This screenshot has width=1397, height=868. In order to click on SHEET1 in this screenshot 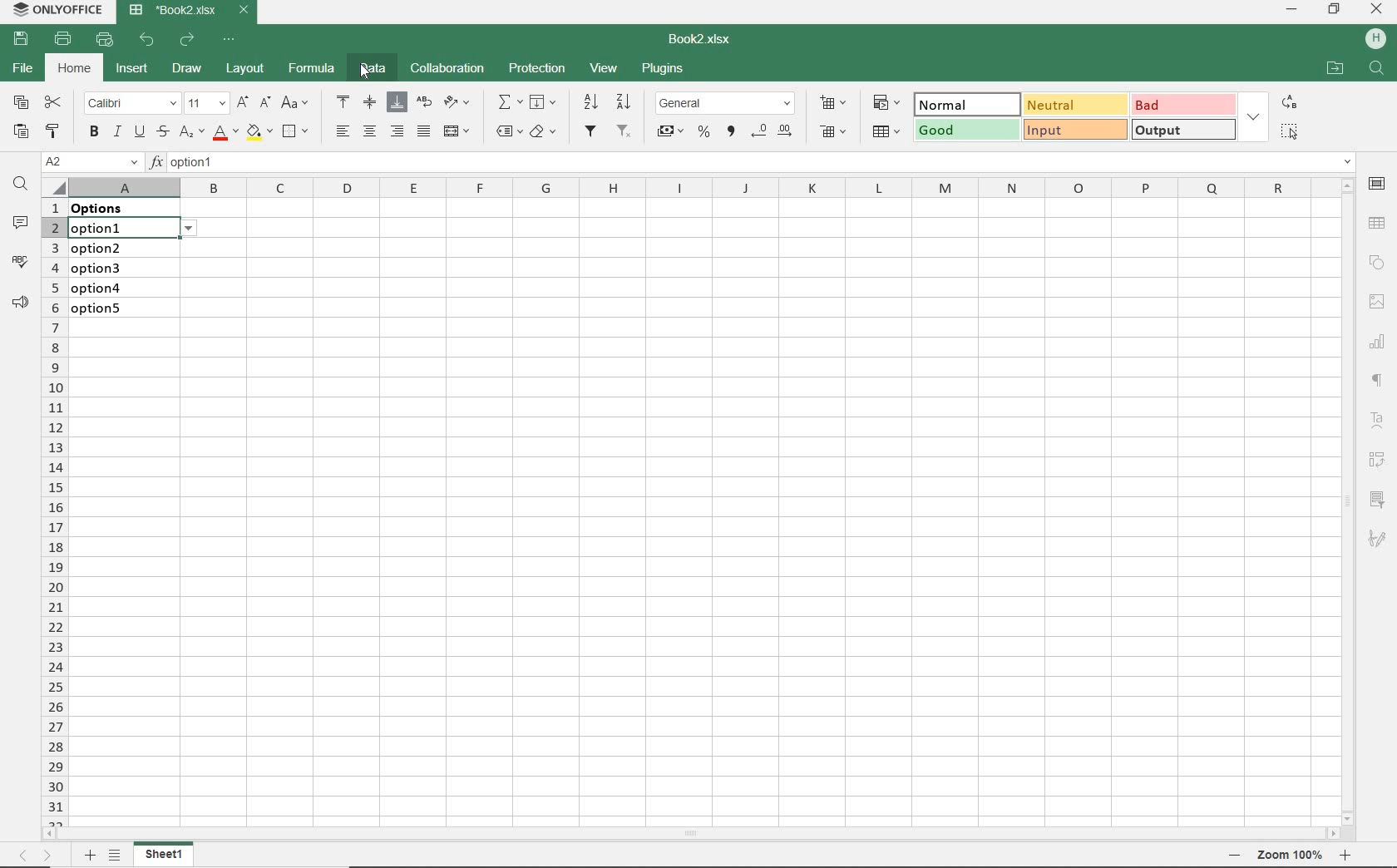, I will do `click(164, 854)`.